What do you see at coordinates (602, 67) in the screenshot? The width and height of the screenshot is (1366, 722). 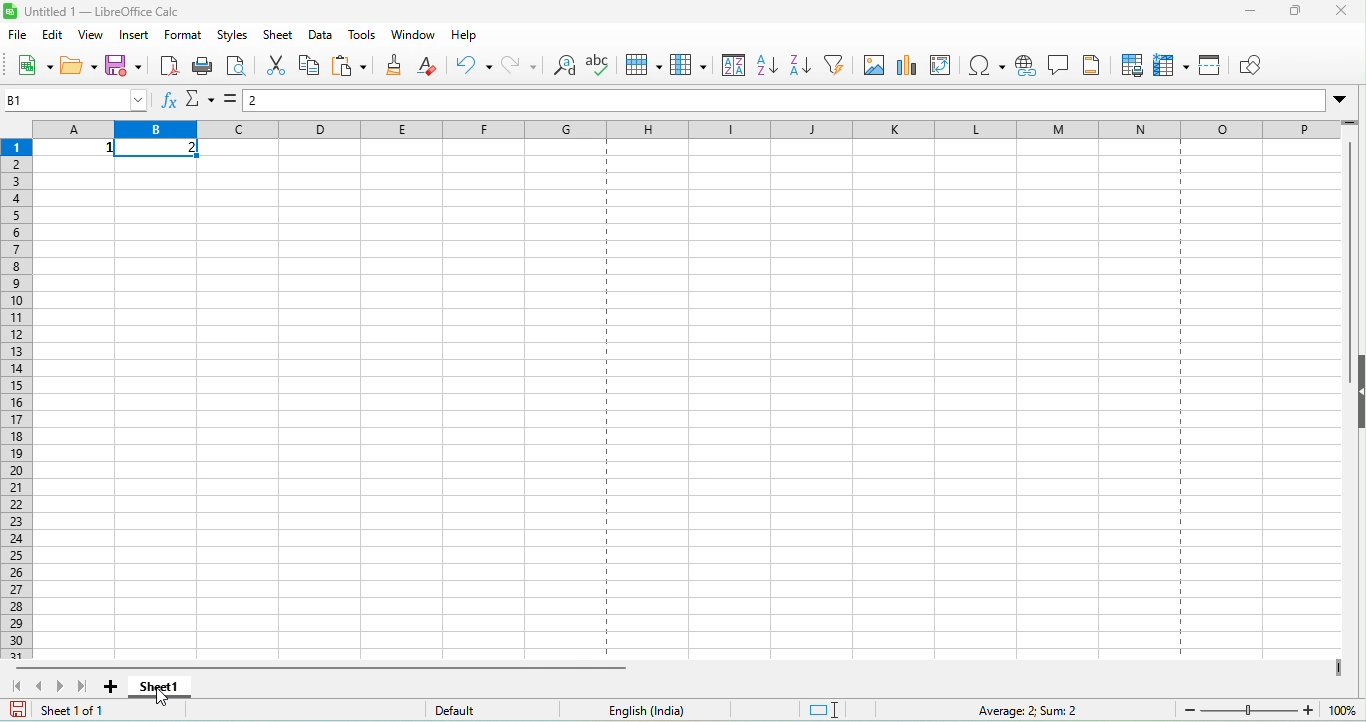 I see `spelling` at bounding box center [602, 67].